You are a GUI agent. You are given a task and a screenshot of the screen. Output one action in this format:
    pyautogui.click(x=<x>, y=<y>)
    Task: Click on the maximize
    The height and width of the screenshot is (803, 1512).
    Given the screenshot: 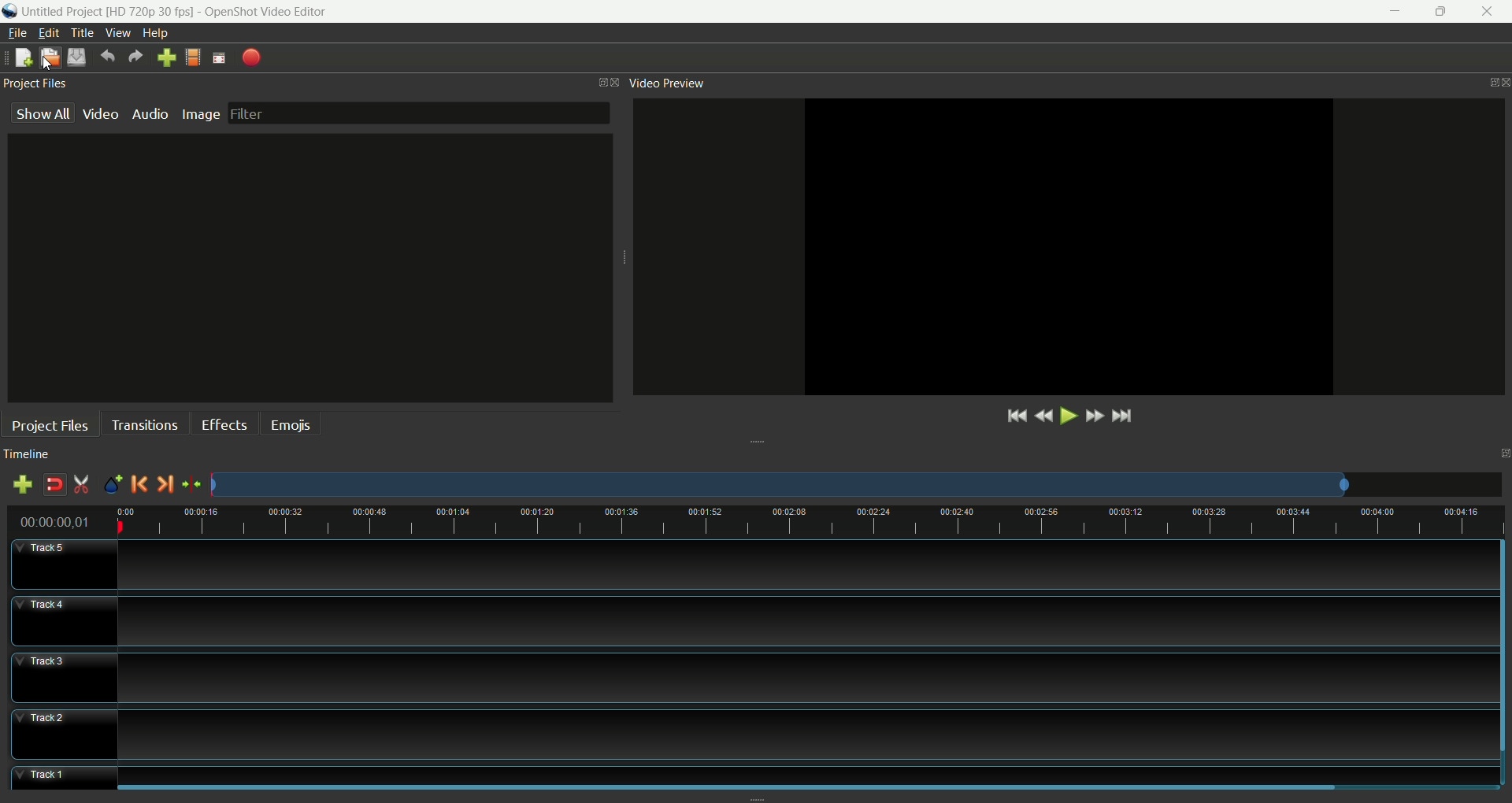 What is the action you would take?
    pyautogui.click(x=1443, y=12)
    